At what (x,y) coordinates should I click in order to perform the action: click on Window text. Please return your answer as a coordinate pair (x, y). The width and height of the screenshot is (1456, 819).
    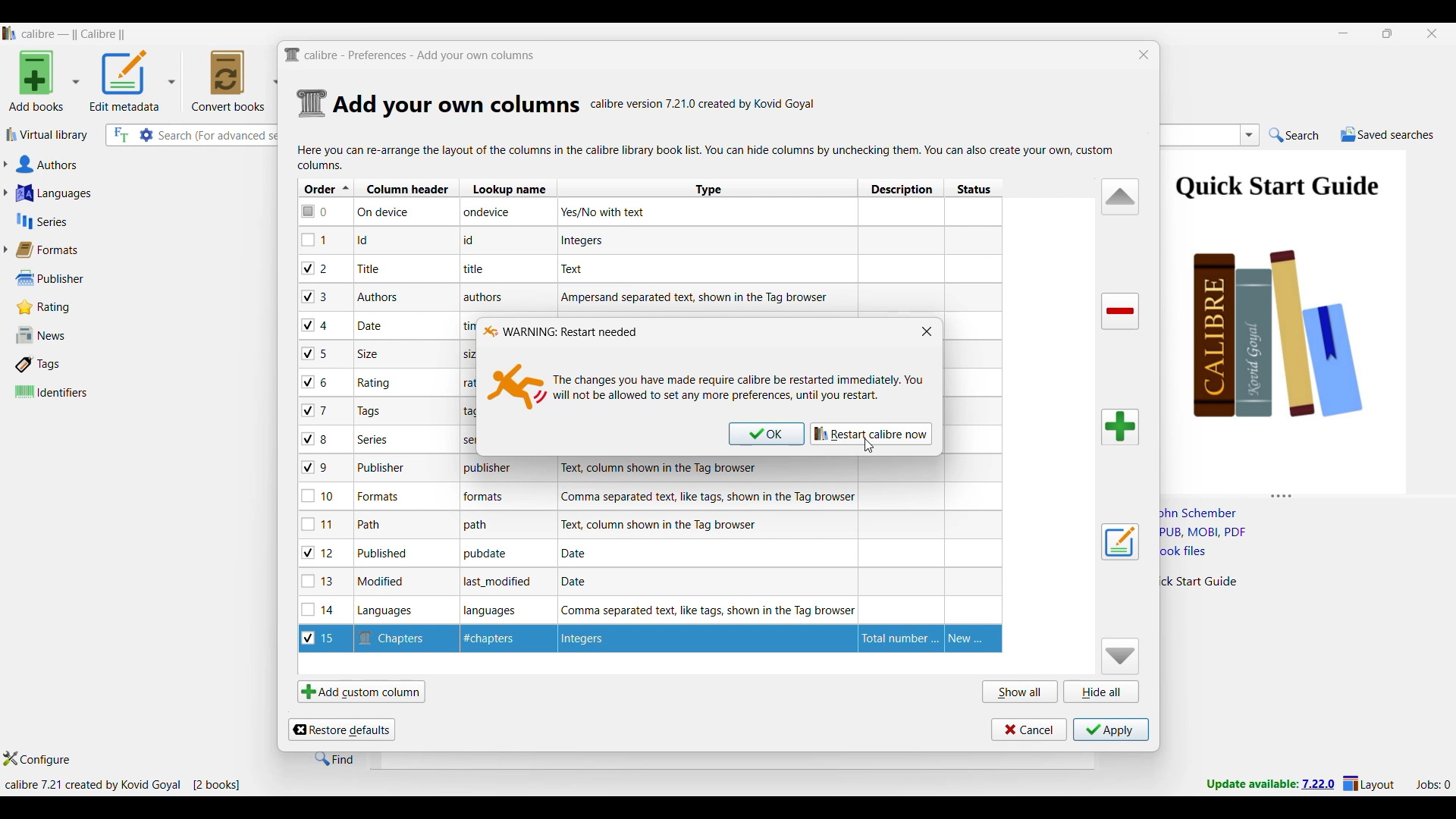
    Looking at the image, I should click on (739, 388).